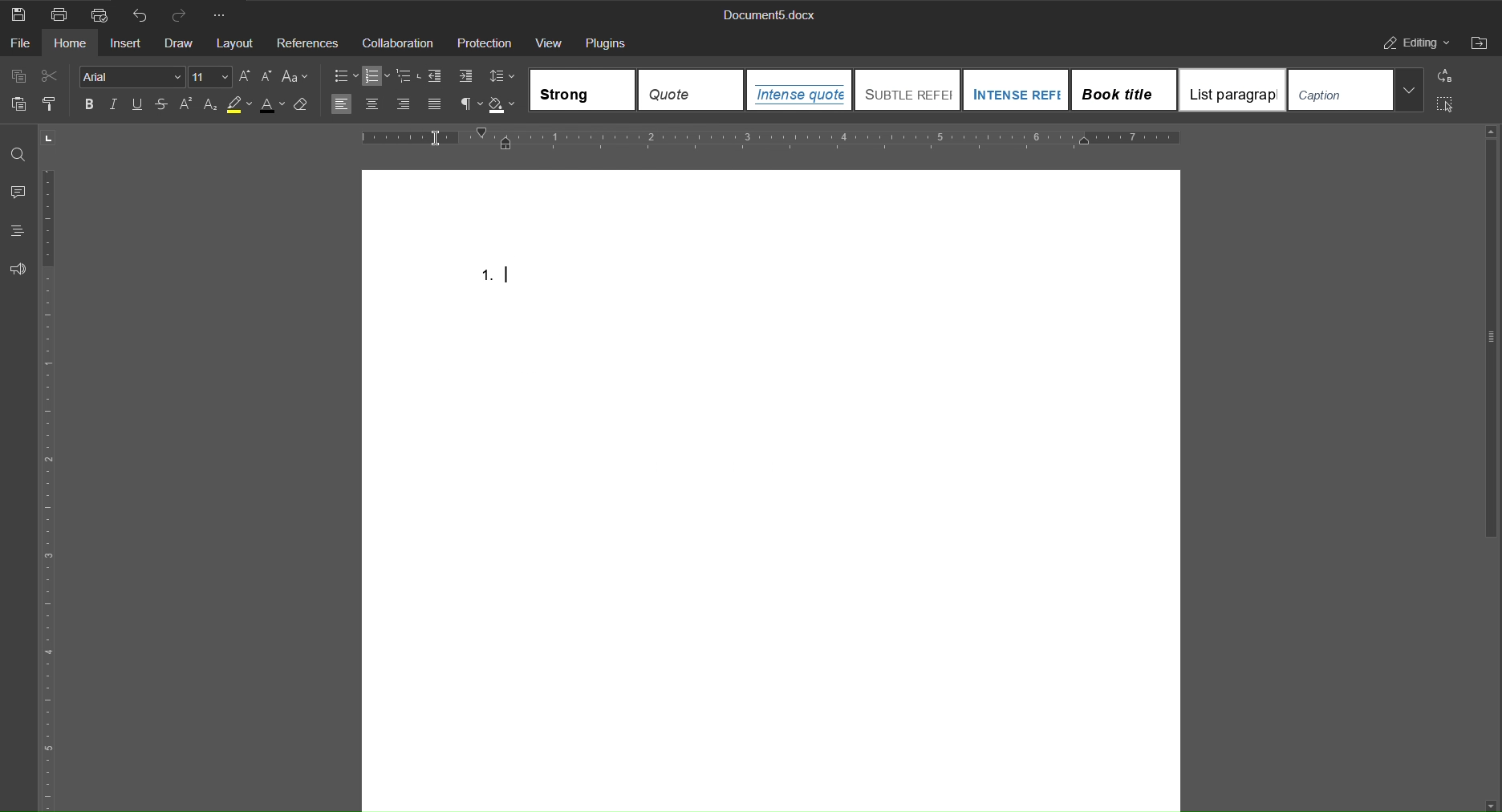 This screenshot has width=1502, height=812. I want to click on Quick Print, so click(104, 14).